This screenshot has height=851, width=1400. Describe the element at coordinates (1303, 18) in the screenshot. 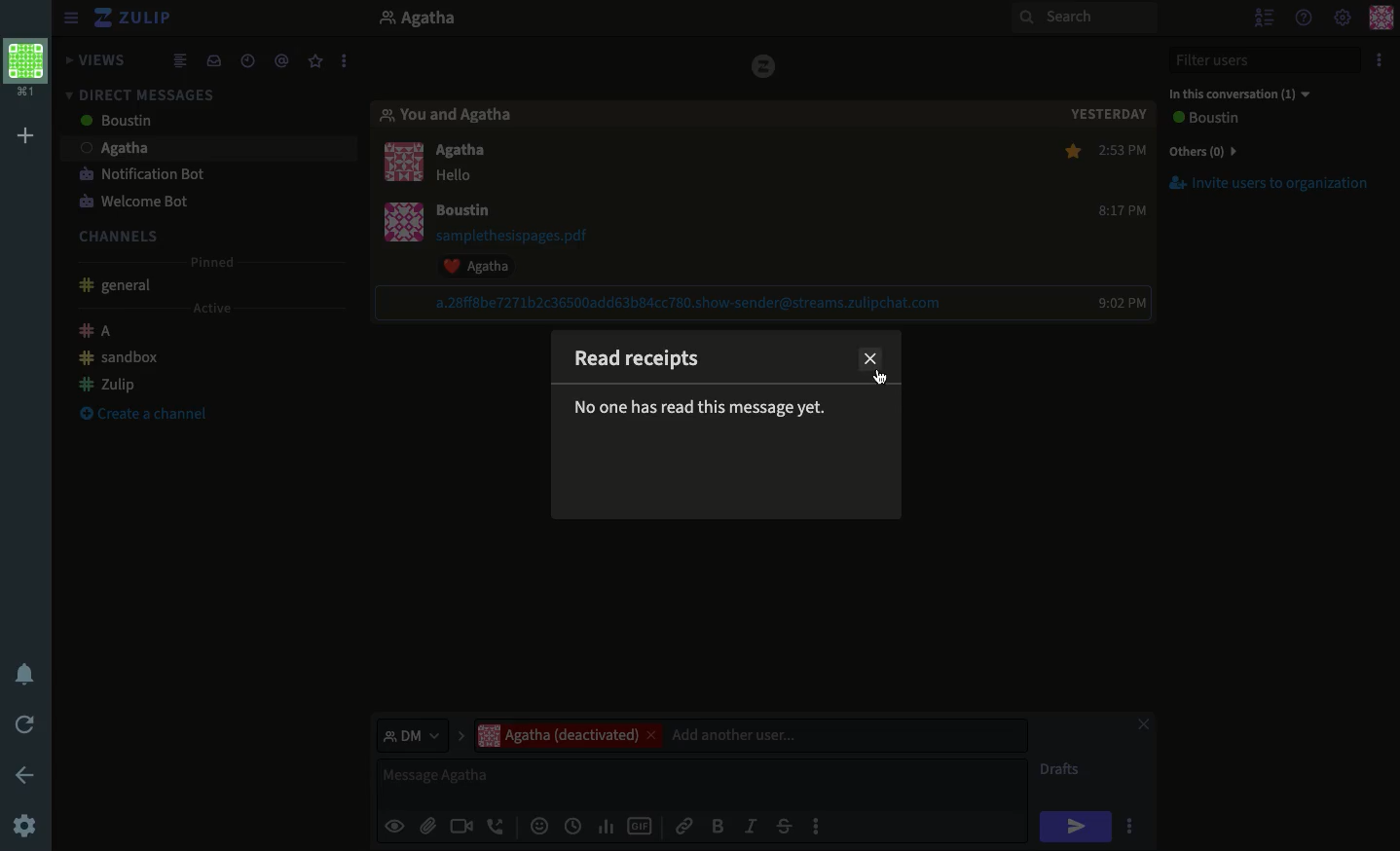

I see `Help` at that location.